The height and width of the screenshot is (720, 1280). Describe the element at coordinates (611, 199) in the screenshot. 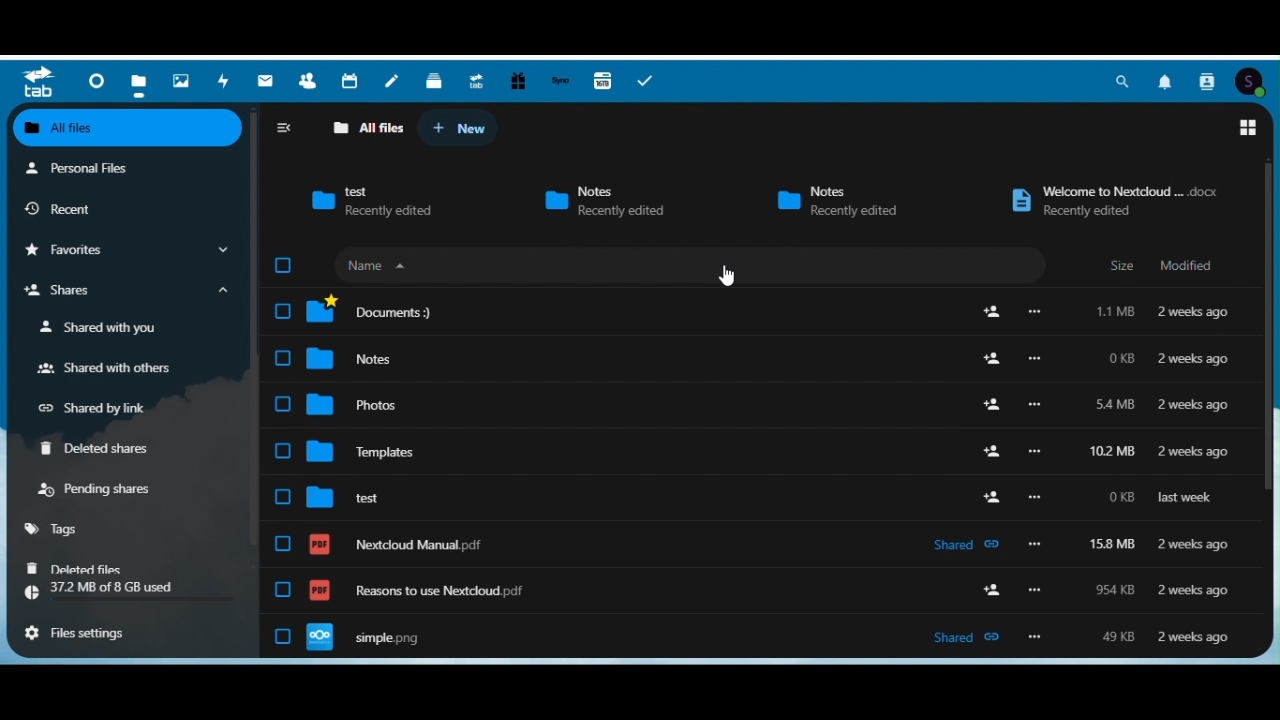

I see `notes recently shared` at that location.